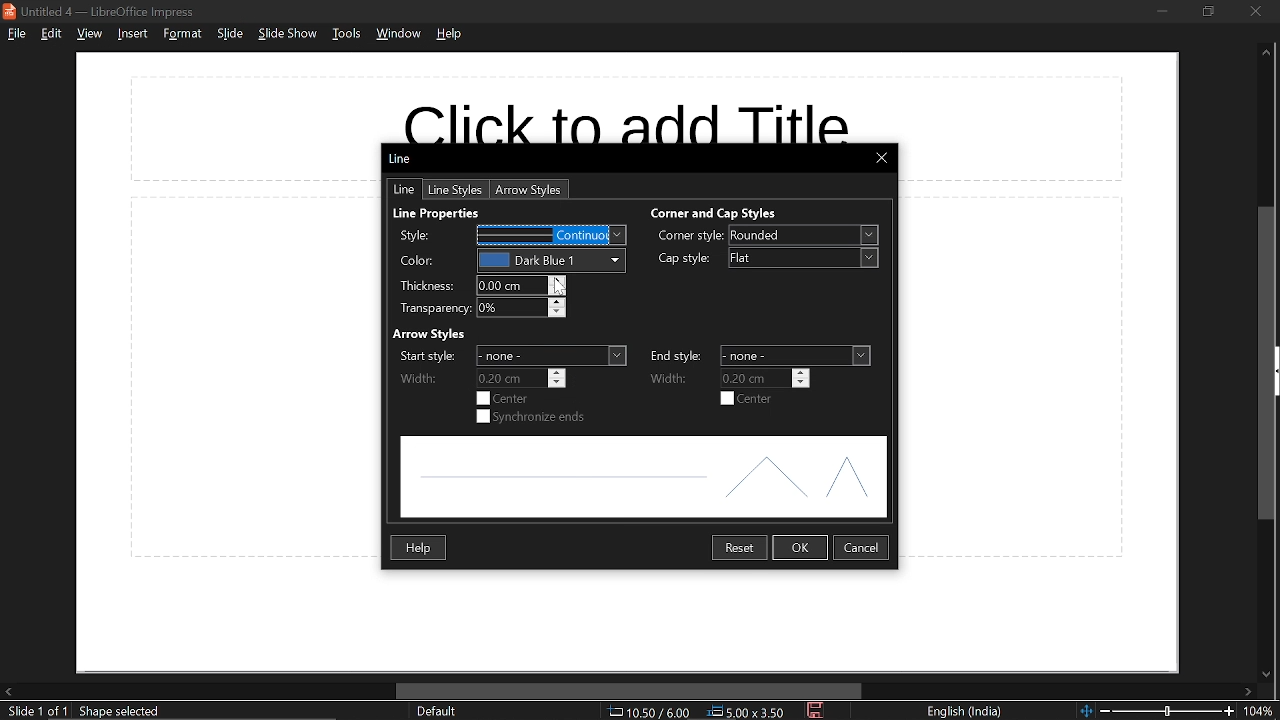 The height and width of the screenshot is (720, 1280). I want to click on slide, so click(230, 34).